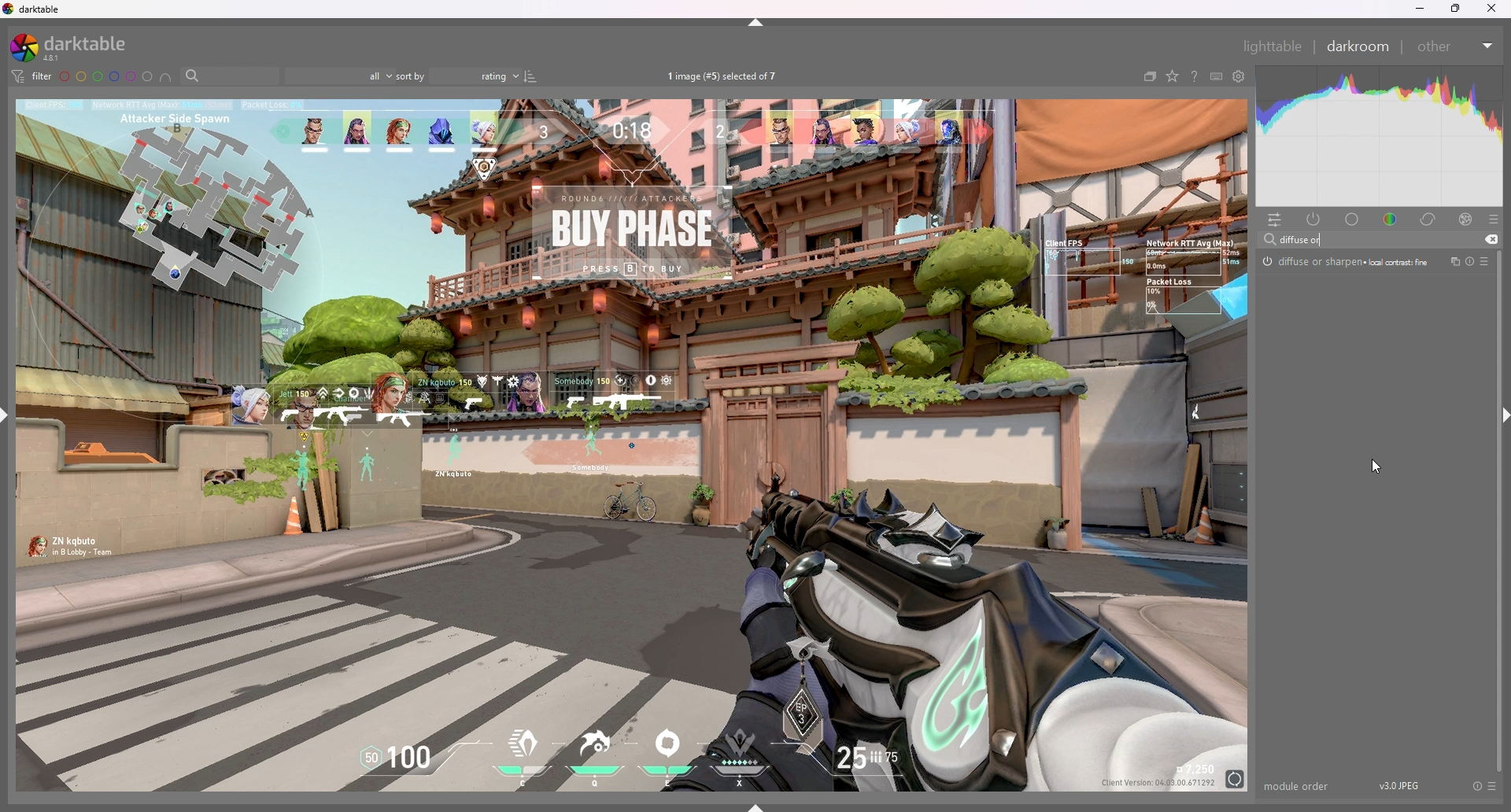 The image size is (1511, 812). What do you see at coordinates (1429, 219) in the screenshot?
I see `correct` at bounding box center [1429, 219].